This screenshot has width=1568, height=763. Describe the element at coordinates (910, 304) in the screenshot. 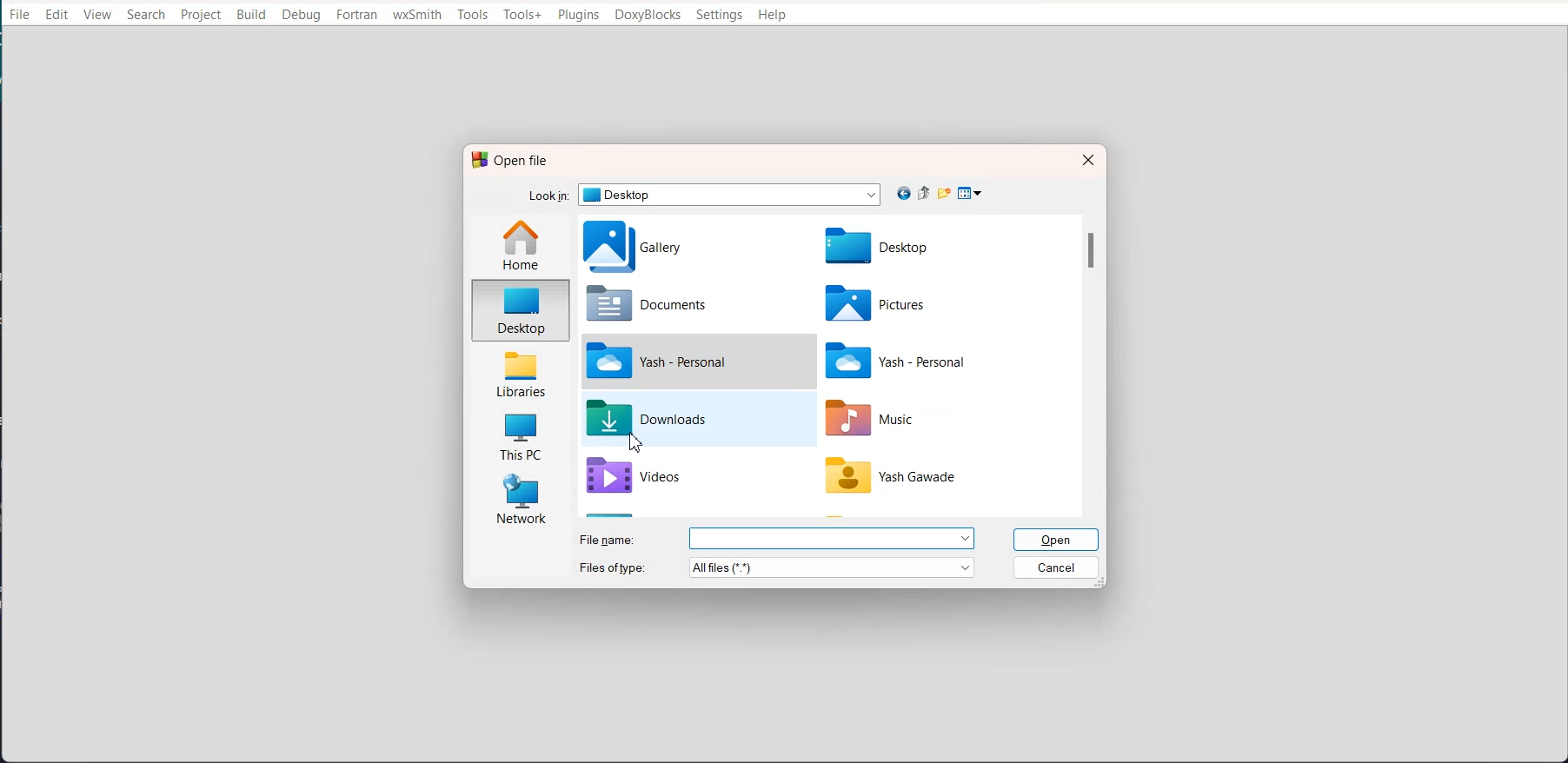

I see `Pictures` at that location.